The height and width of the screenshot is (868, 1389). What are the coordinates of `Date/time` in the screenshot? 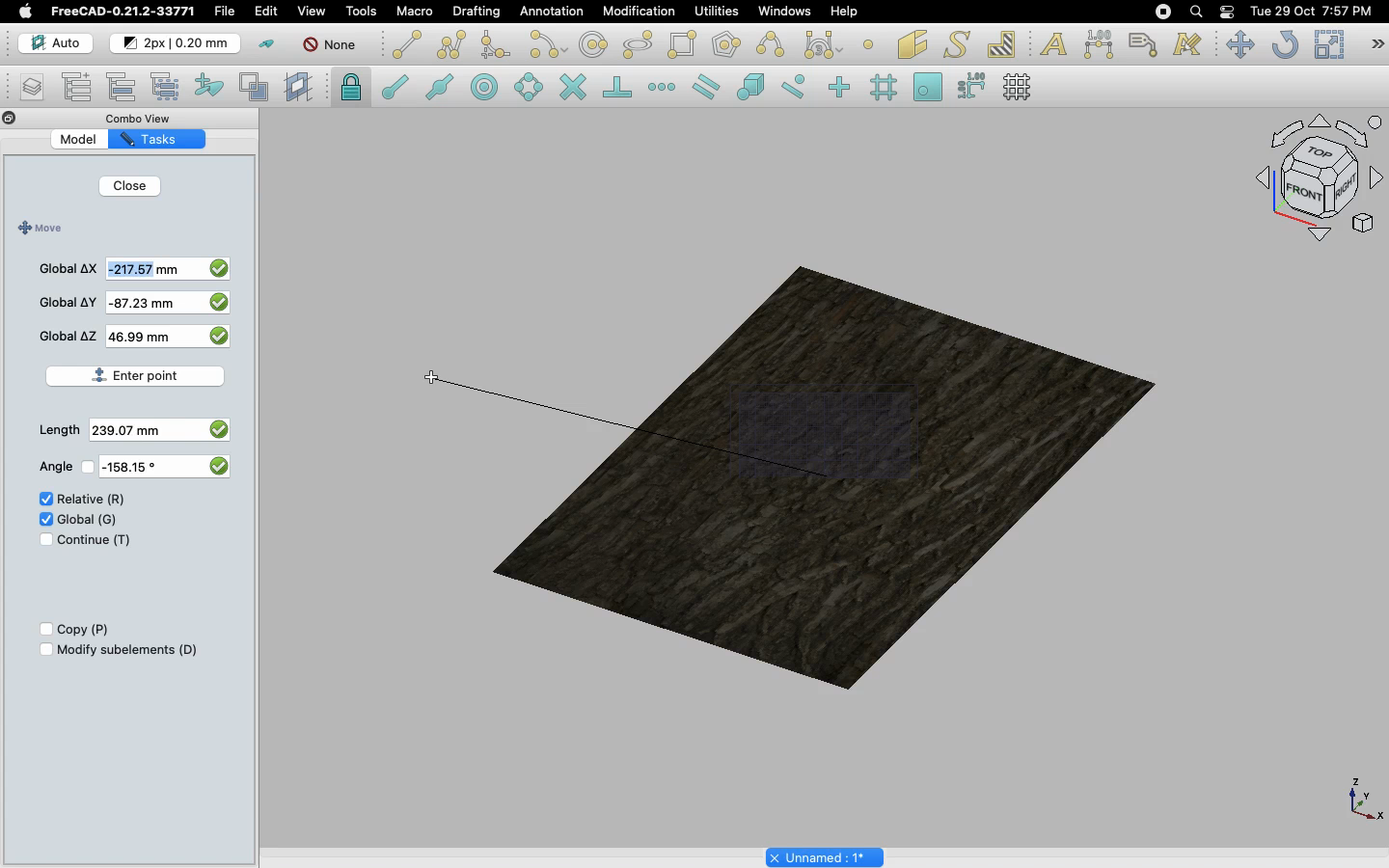 It's located at (1311, 10).